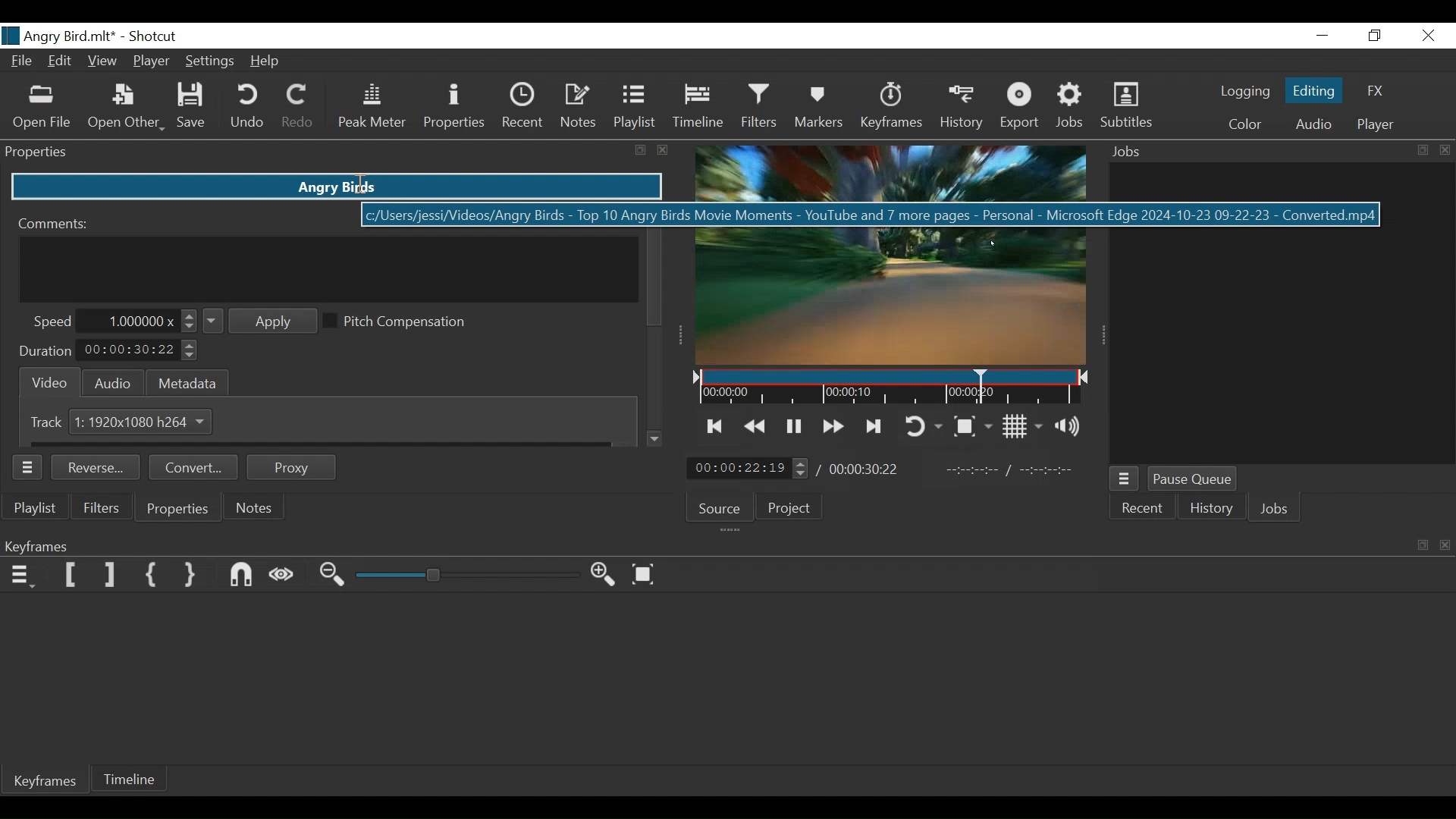 The image size is (1456, 819). I want to click on Vertical Scrollbar, so click(654, 278).